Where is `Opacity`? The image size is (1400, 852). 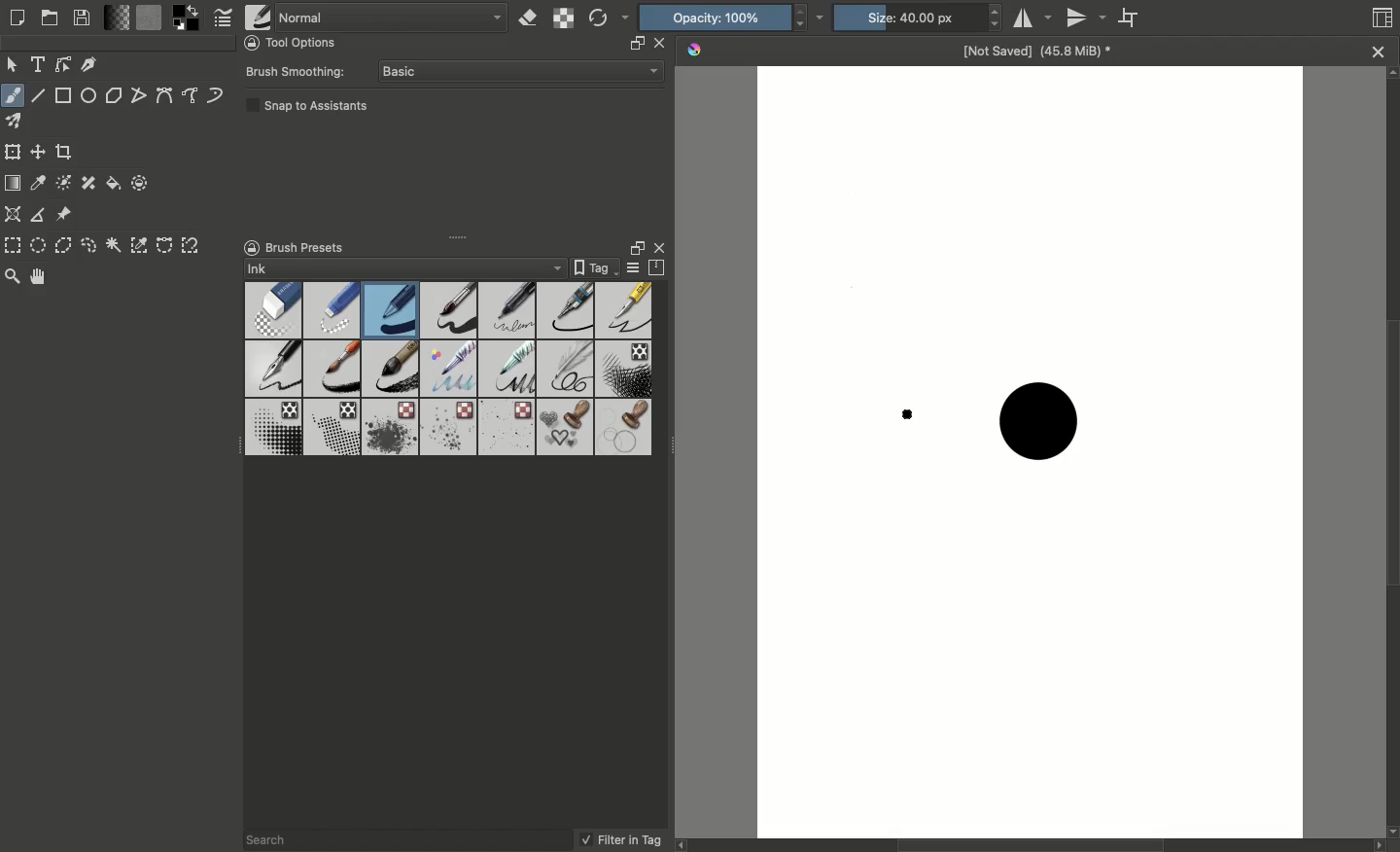 Opacity is located at coordinates (732, 18).